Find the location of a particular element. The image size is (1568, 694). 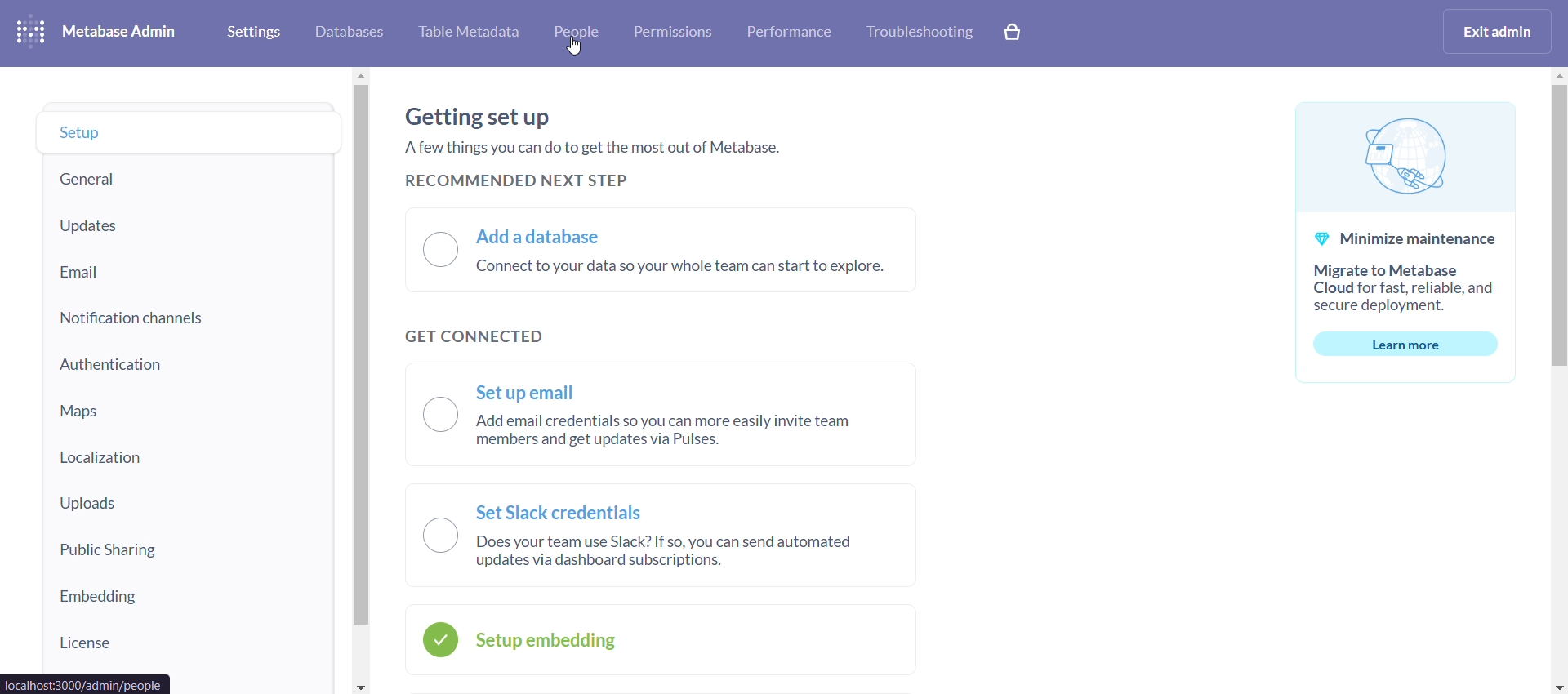

email is located at coordinates (188, 269).